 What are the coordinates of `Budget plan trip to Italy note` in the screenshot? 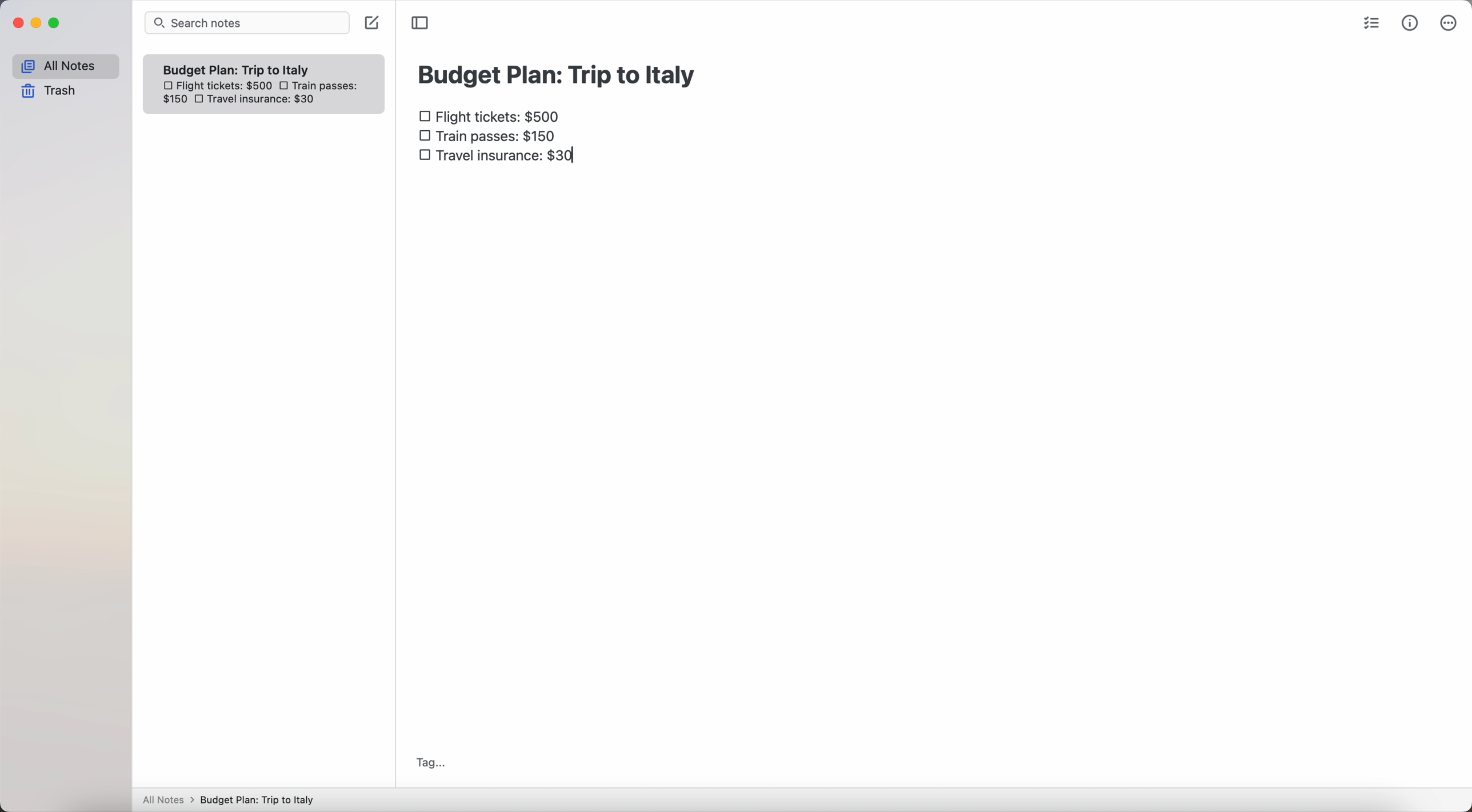 It's located at (238, 69).